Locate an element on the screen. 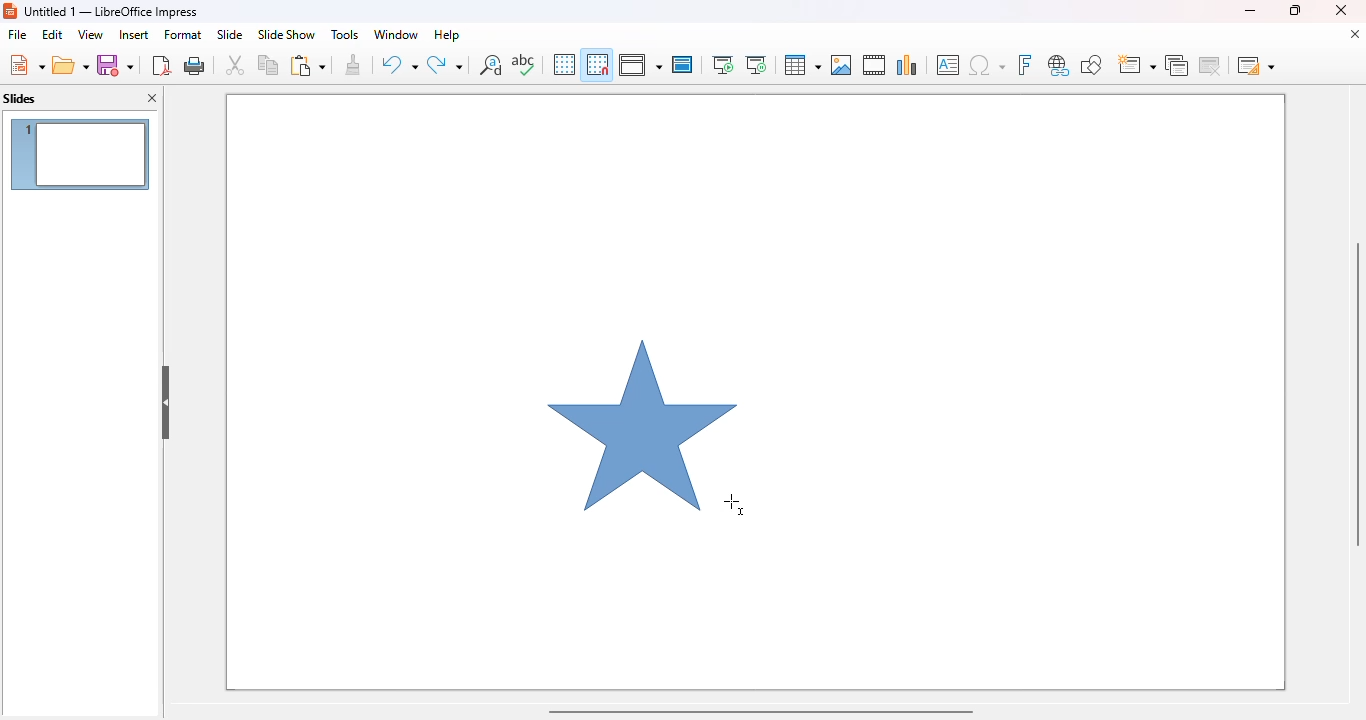 Image resolution: width=1366 pixels, height=720 pixels. help is located at coordinates (447, 34).